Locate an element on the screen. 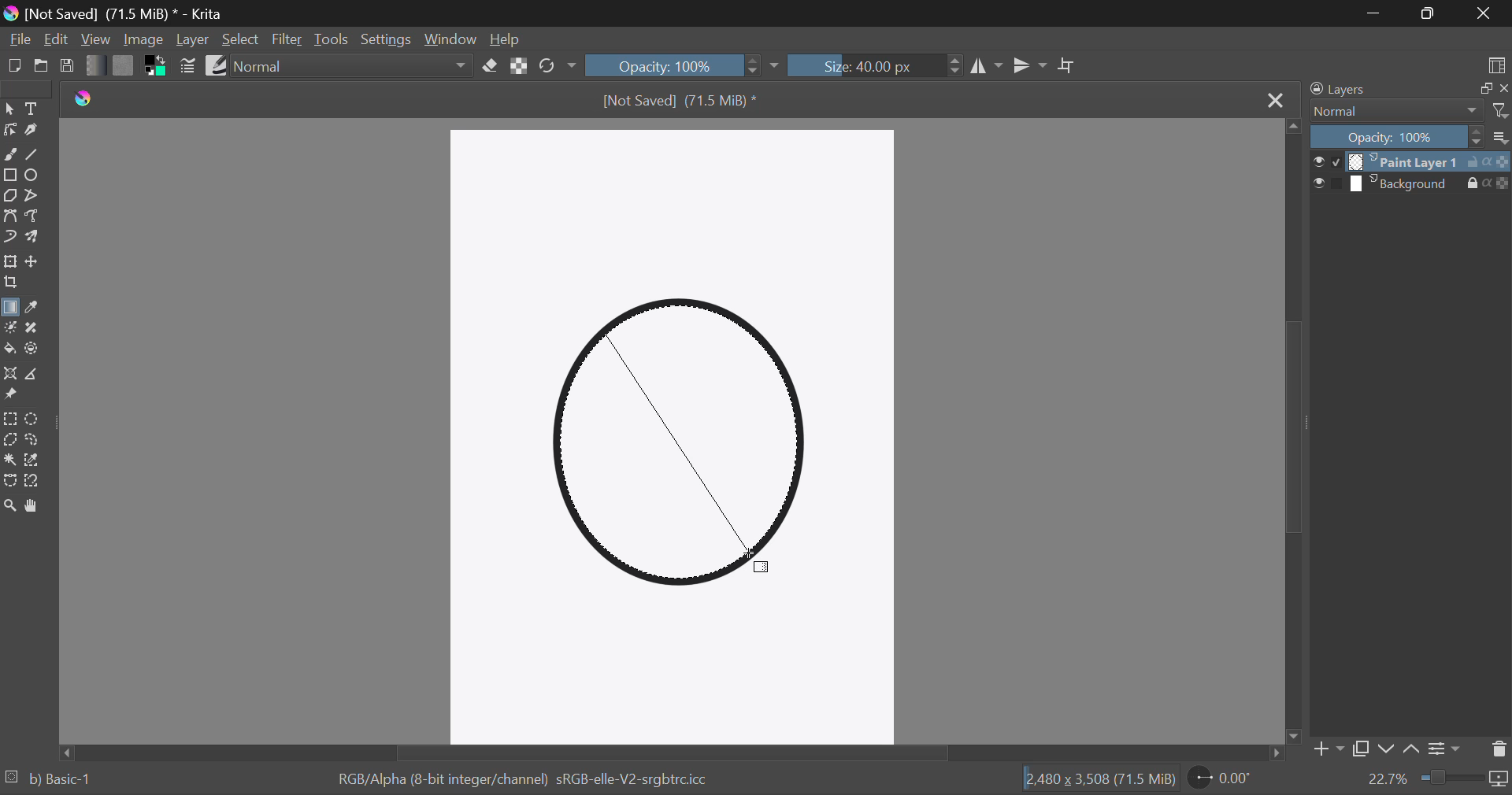  Elipses is located at coordinates (36, 176).